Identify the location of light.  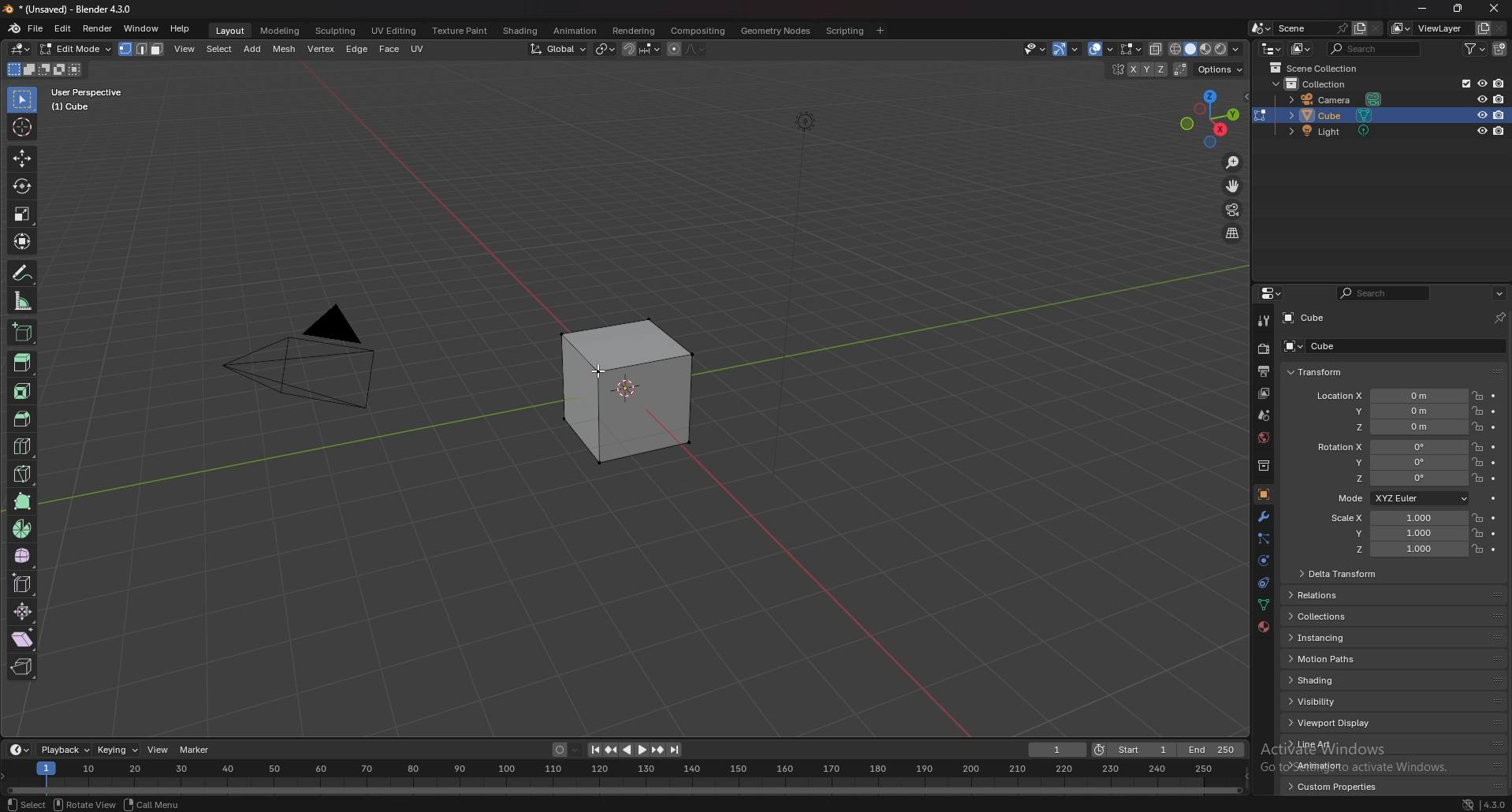
(1342, 131).